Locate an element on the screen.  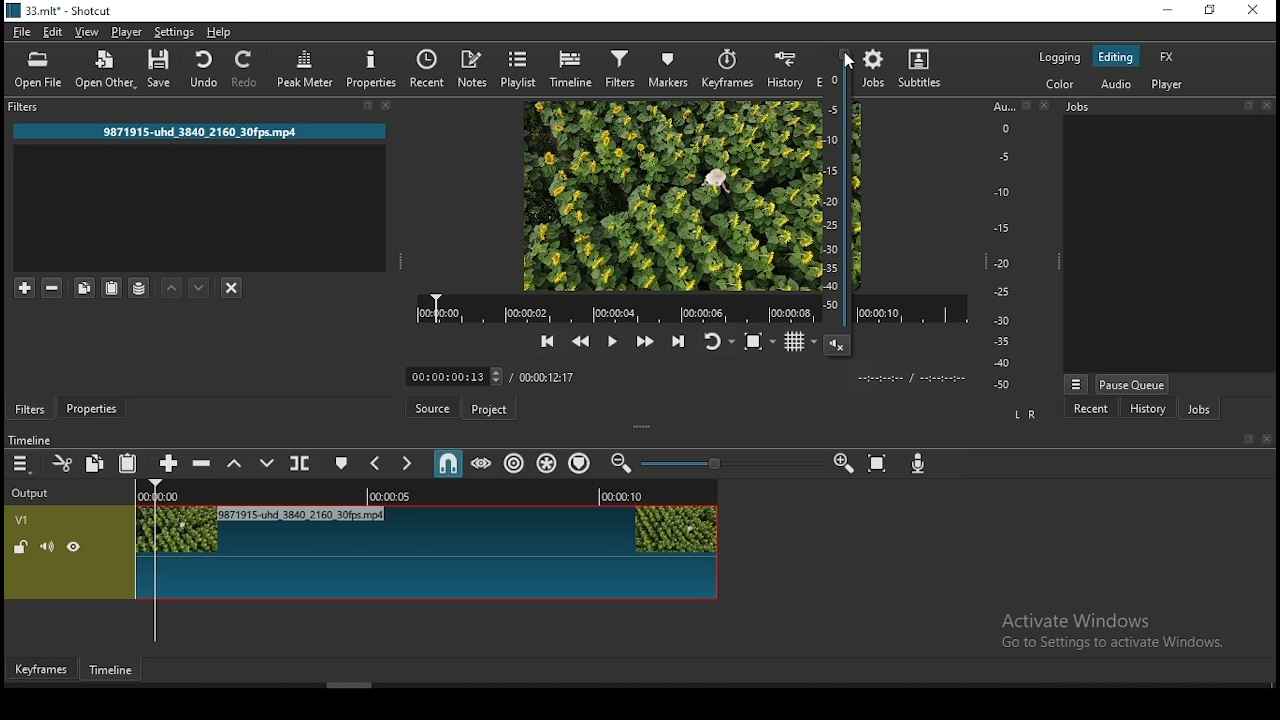
editing is located at coordinates (1117, 57).